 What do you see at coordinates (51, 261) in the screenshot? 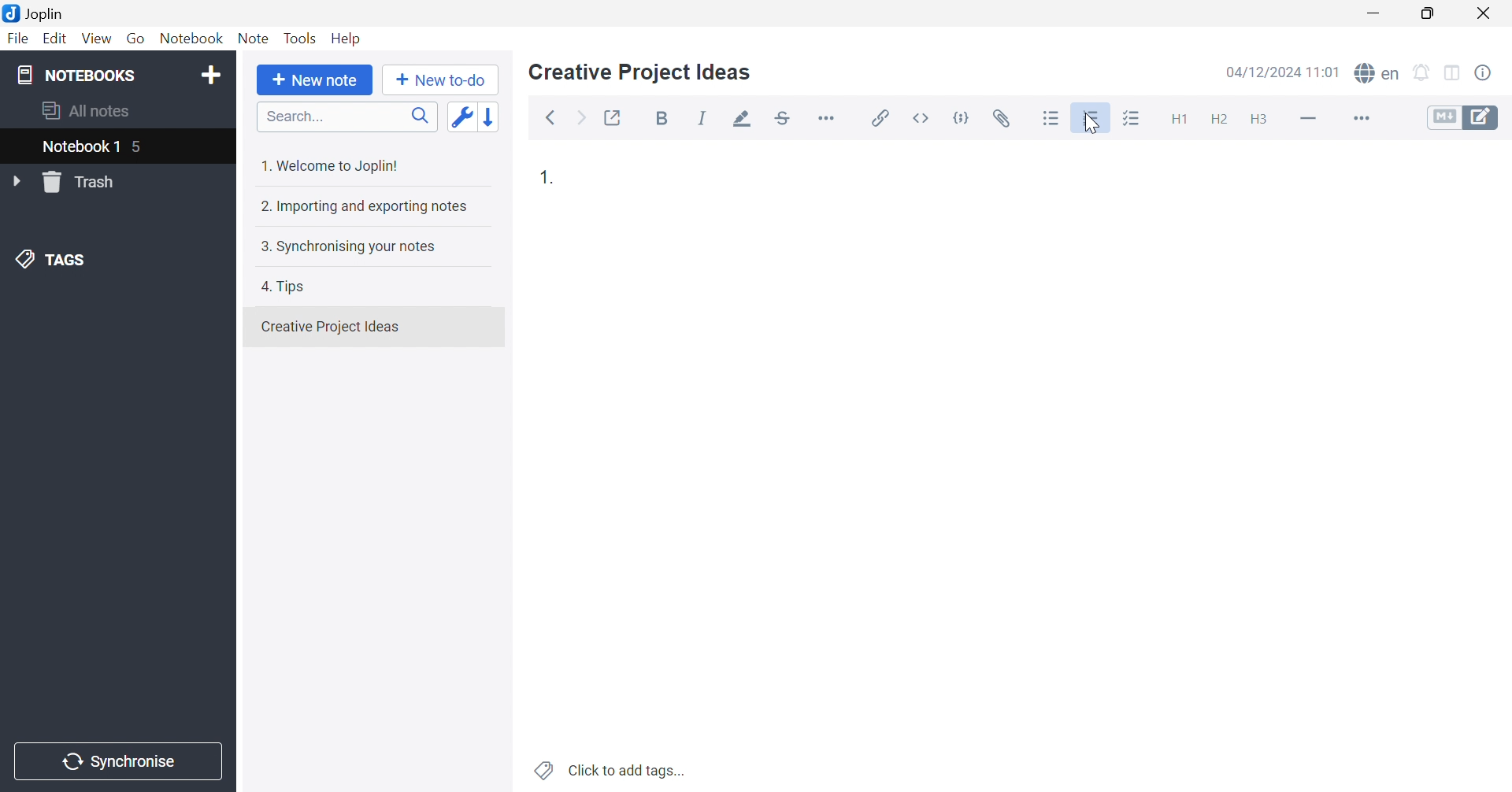
I see `TAGS` at bounding box center [51, 261].